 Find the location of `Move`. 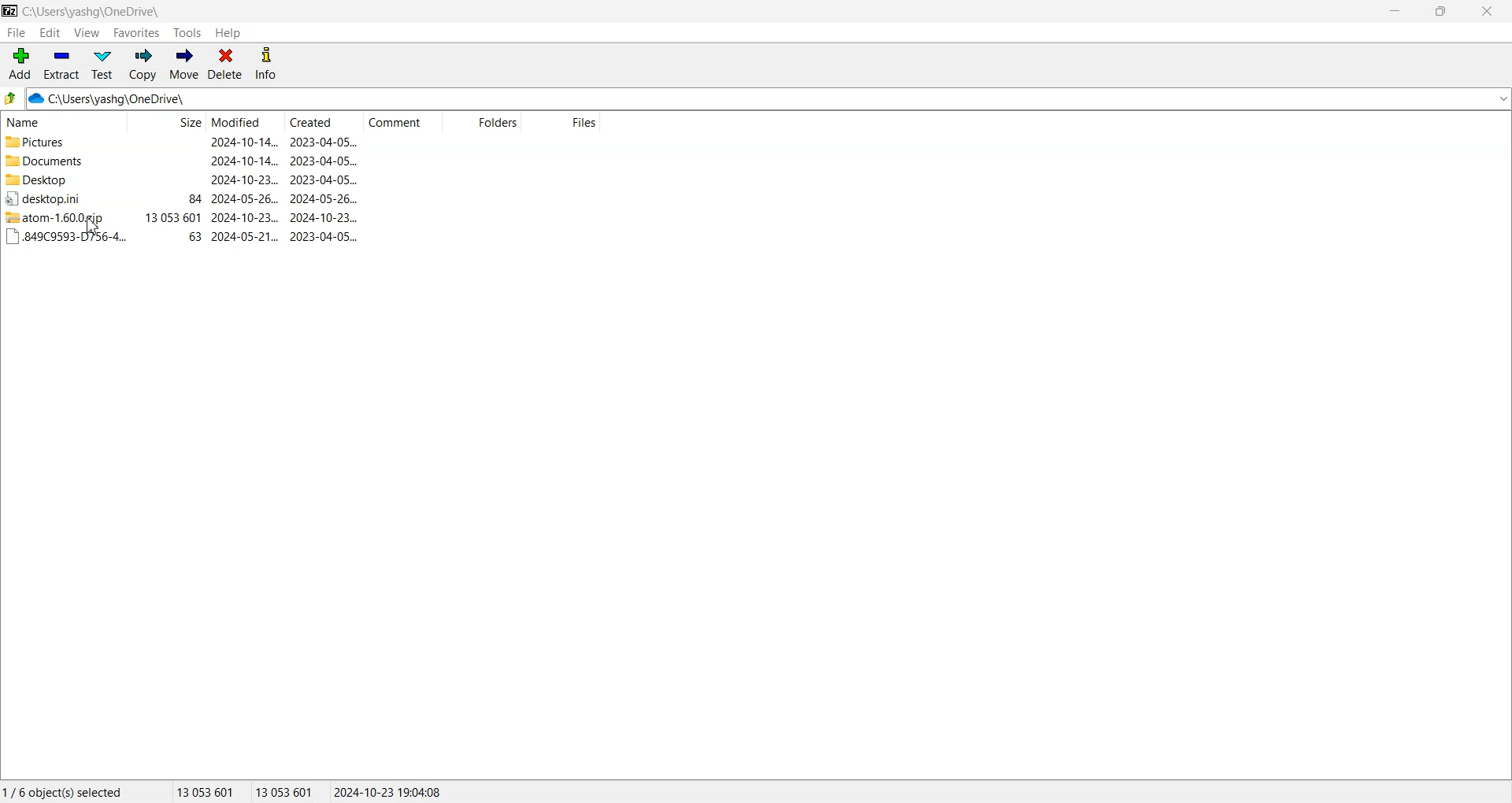

Move is located at coordinates (183, 65).